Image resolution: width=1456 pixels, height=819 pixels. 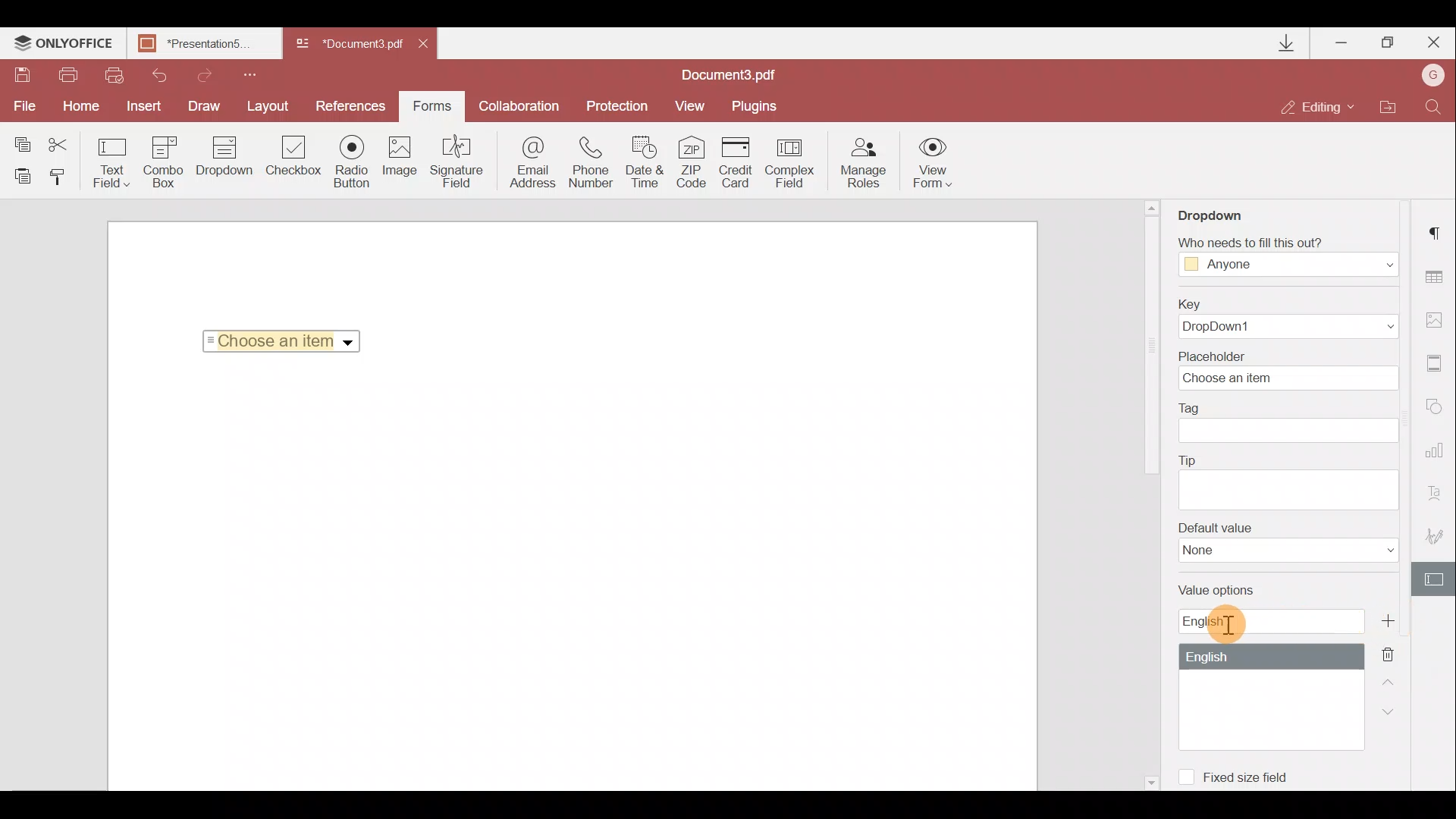 What do you see at coordinates (1438, 366) in the screenshot?
I see `Header & Footer settings` at bounding box center [1438, 366].